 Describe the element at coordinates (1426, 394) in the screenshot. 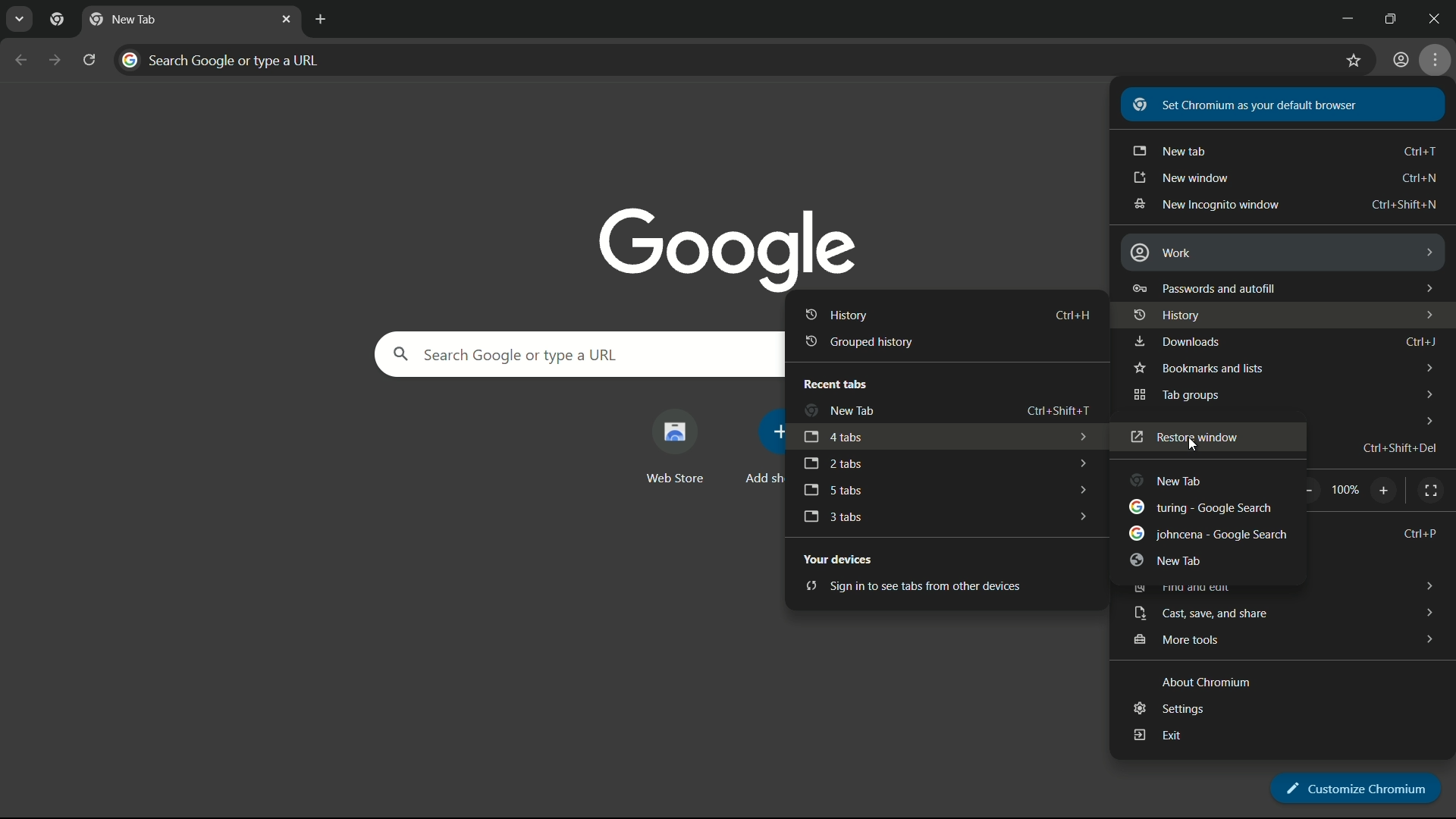

I see `dropdown arrows` at that location.